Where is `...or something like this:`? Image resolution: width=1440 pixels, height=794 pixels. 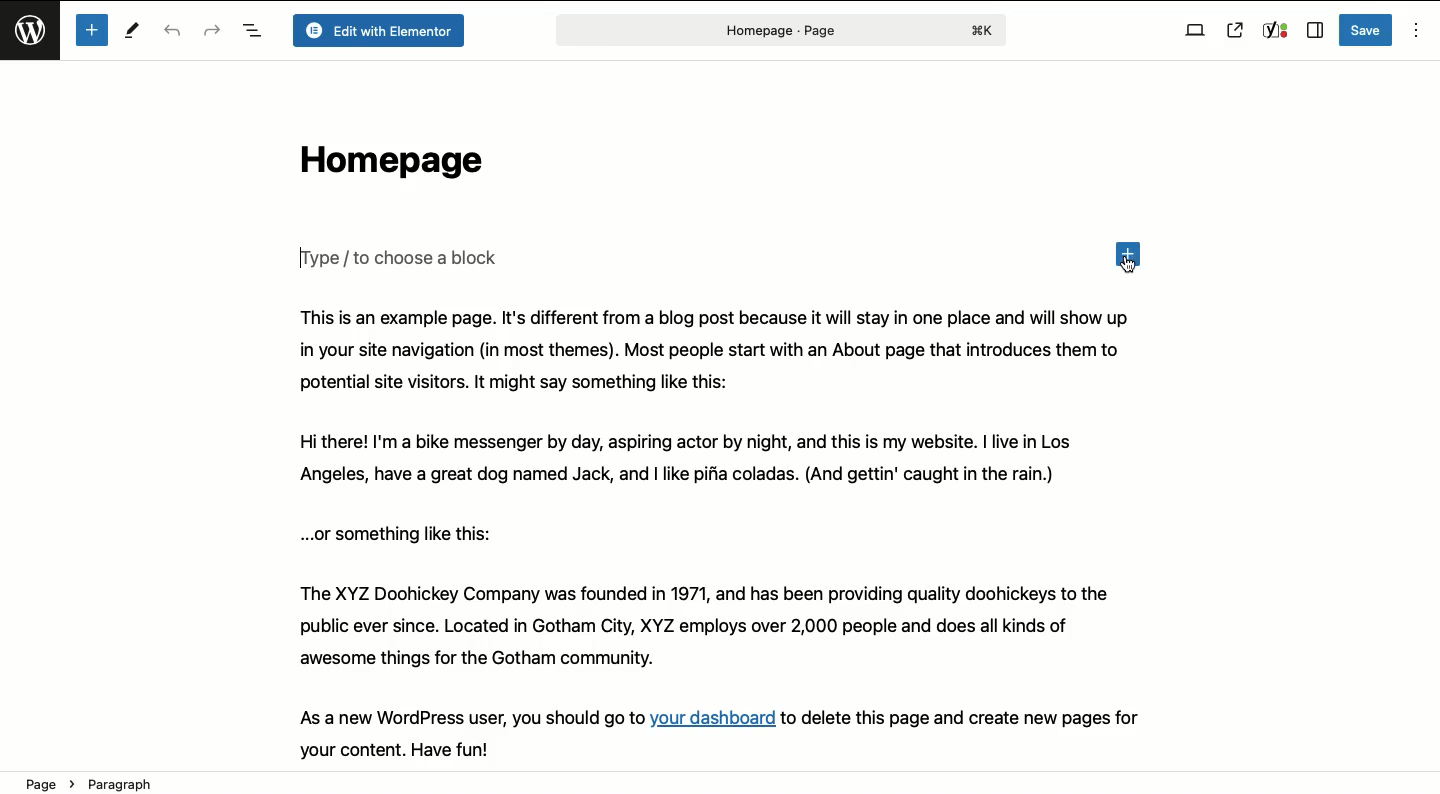
...or something like this: is located at coordinates (404, 533).